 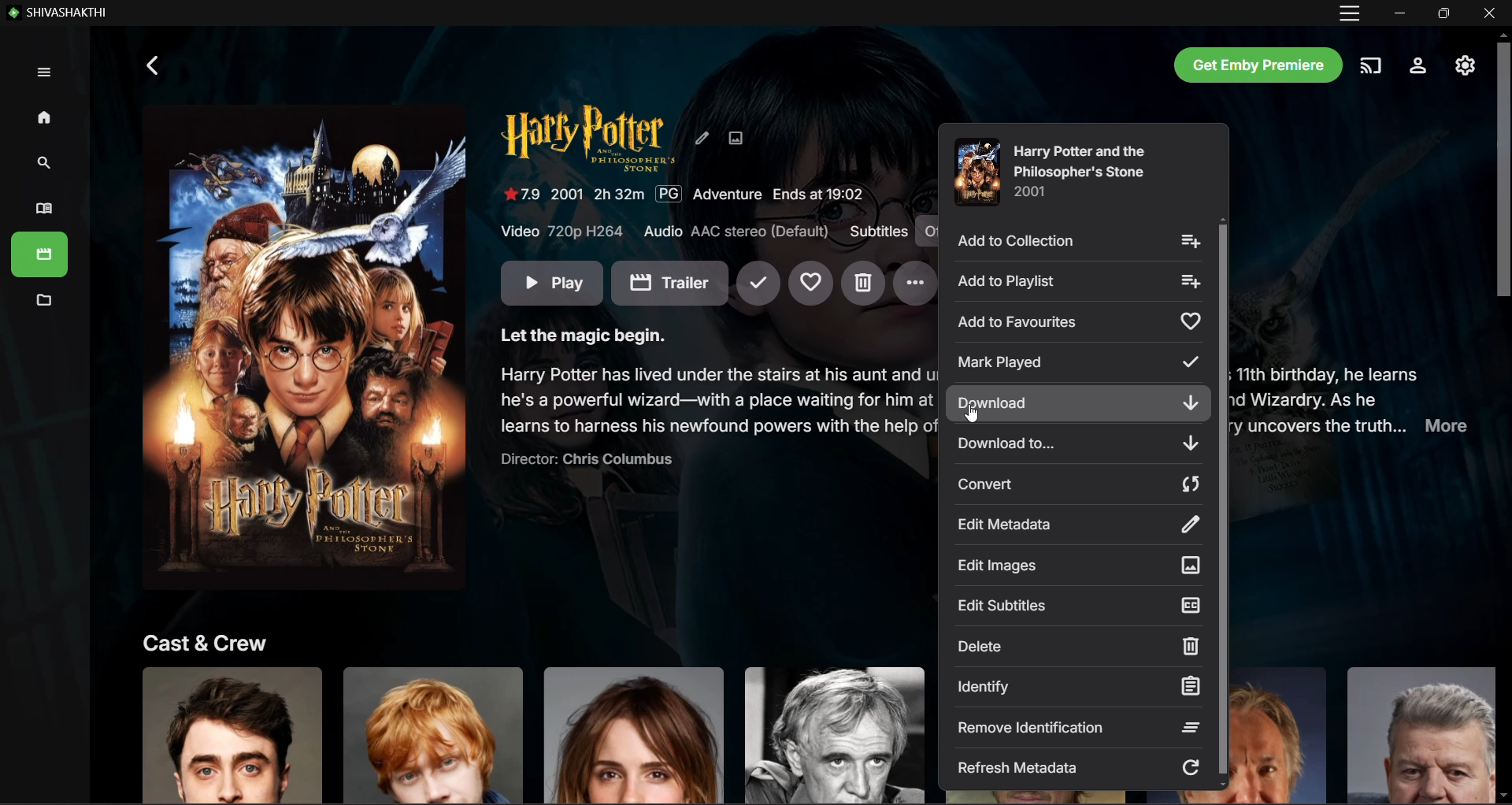 I want to click on Home, so click(x=46, y=118).